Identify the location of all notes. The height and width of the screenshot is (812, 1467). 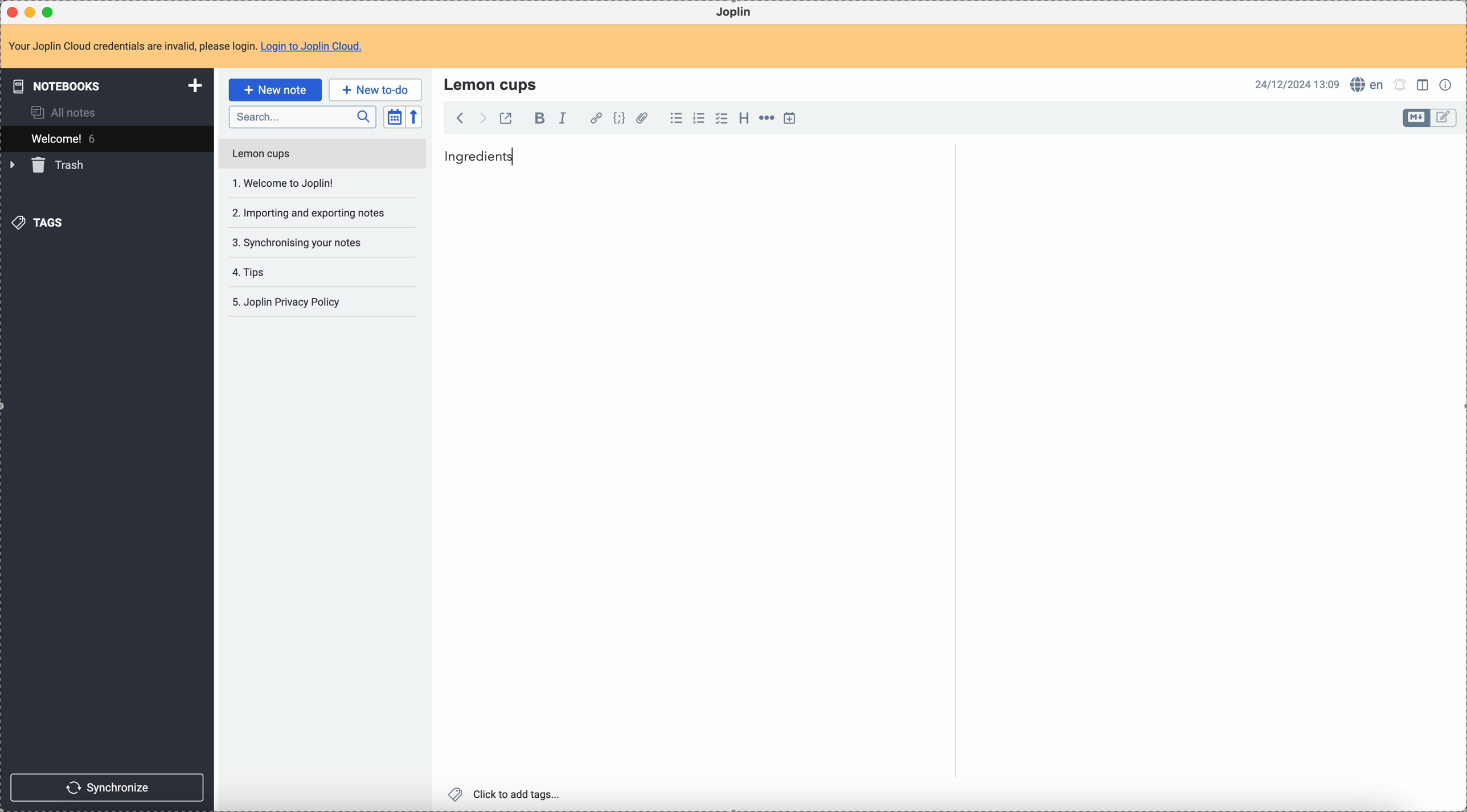
(67, 112).